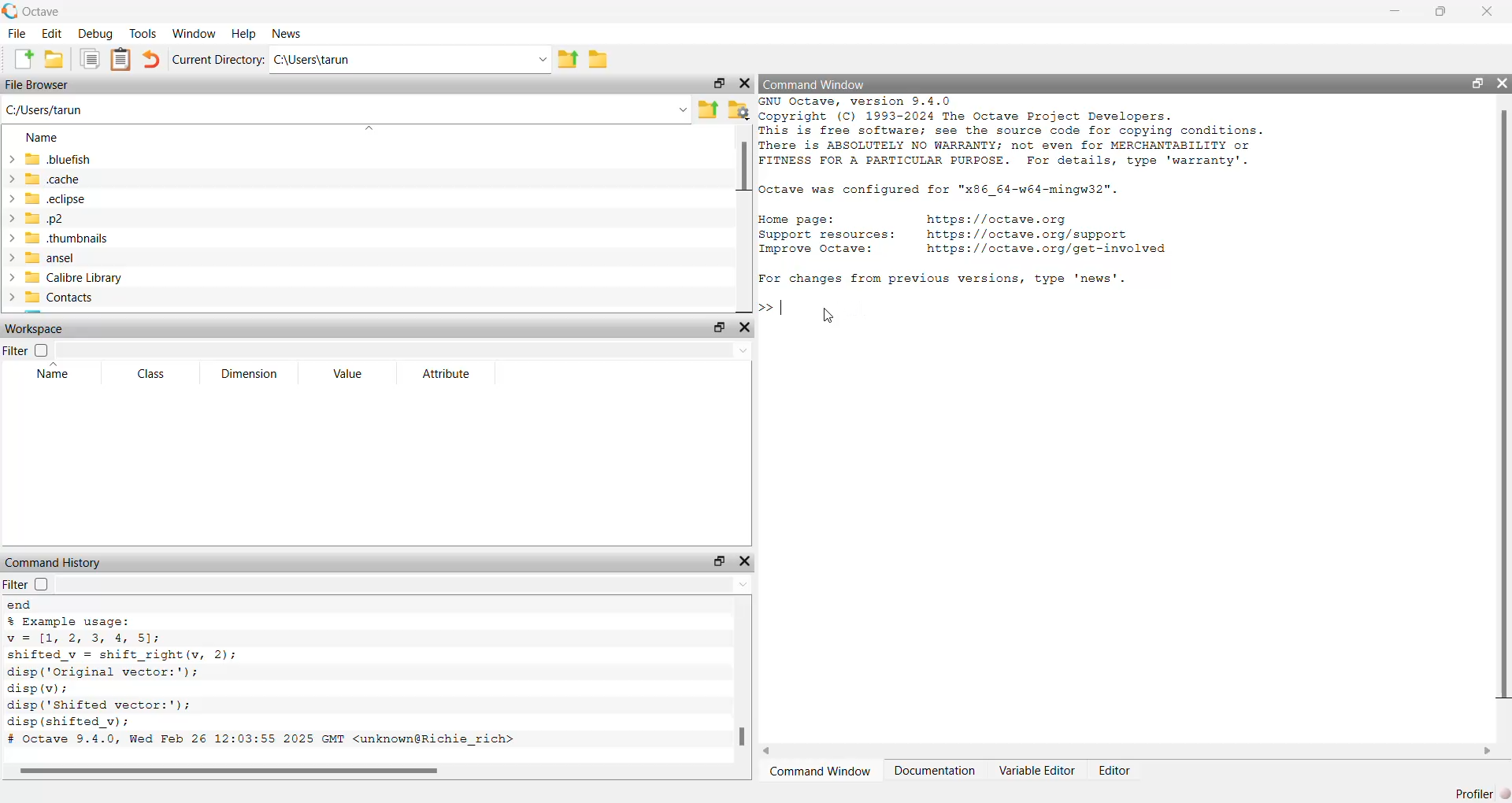 Image resolution: width=1512 pixels, height=803 pixels. What do you see at coordinates (243, 35) in the screenshot?
I see `help` at bounding box center [243, 35].